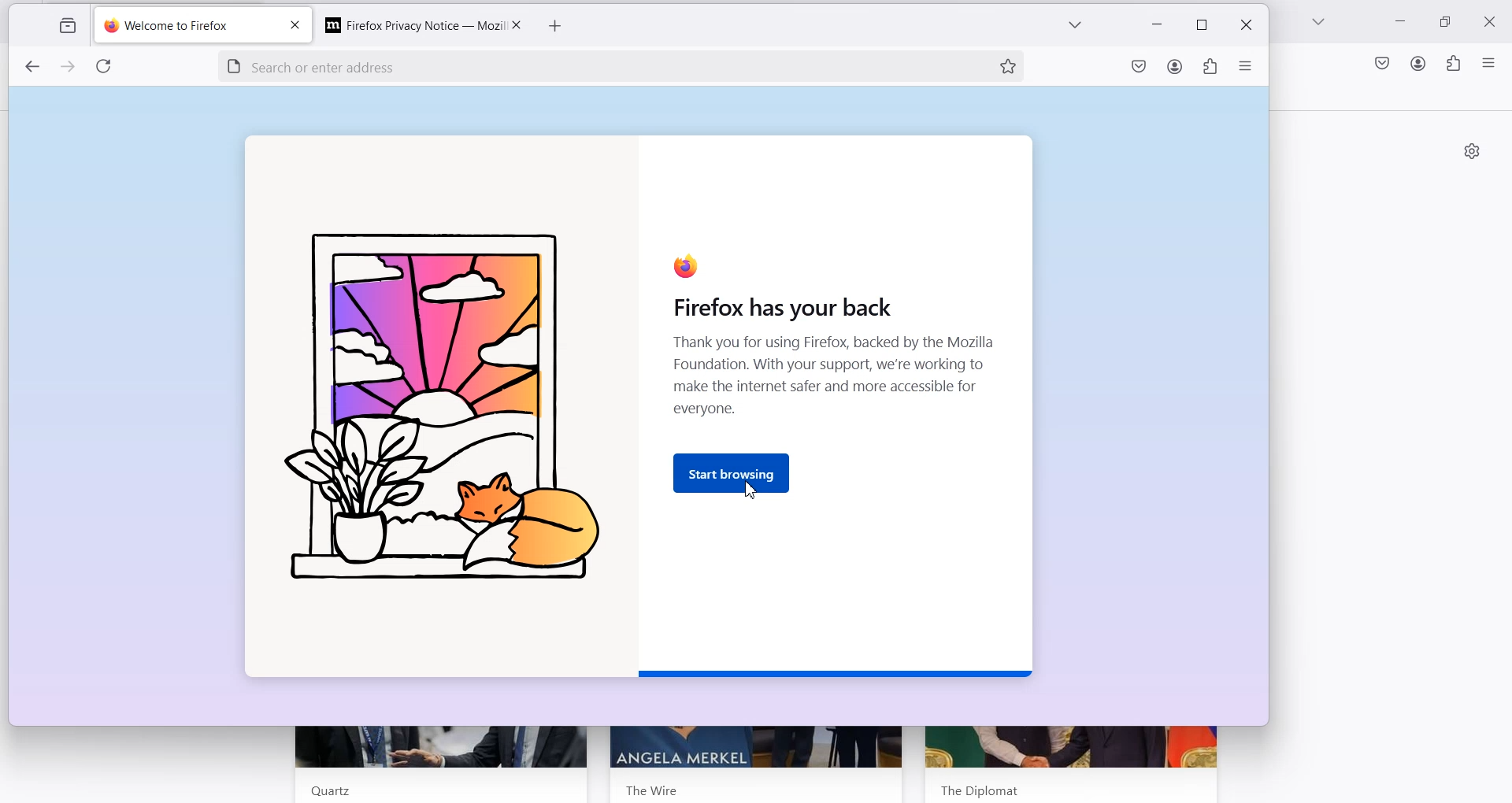  I want to click on close, so click(1243, 26).